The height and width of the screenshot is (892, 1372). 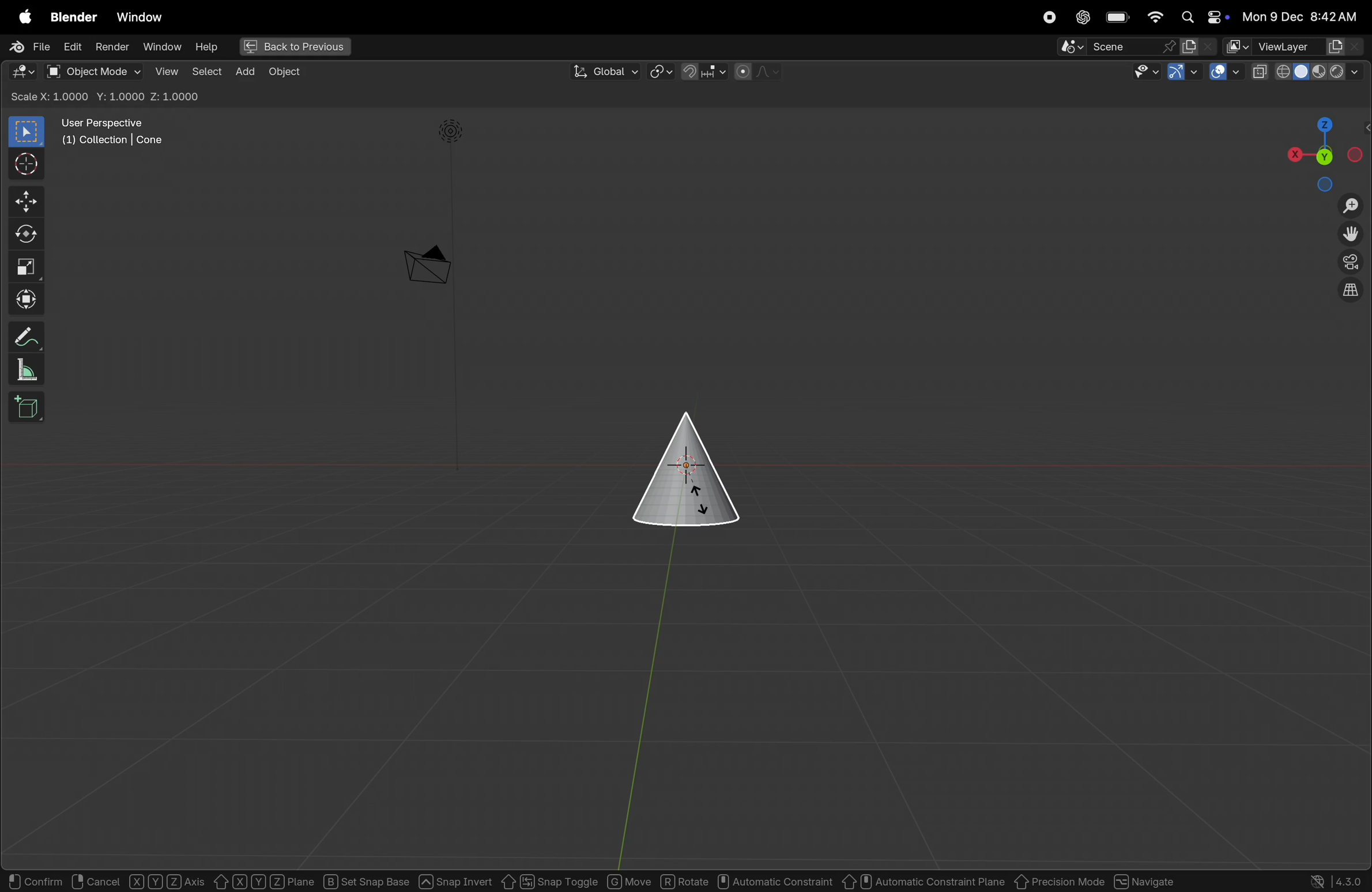 I want to click on camera perspetive, so click(x=427, y=265).